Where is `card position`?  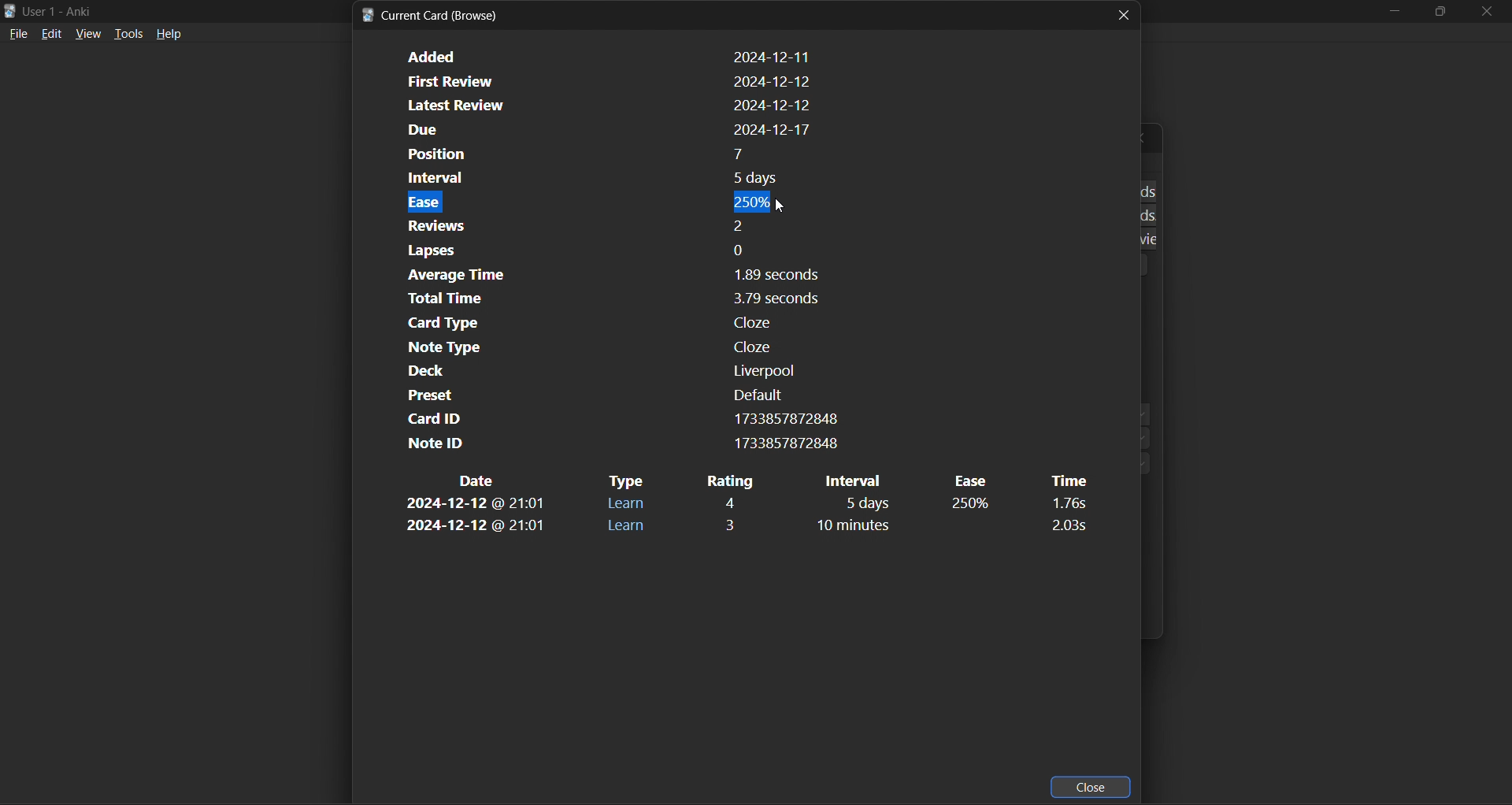 card position is located at coordinates (609, 154).